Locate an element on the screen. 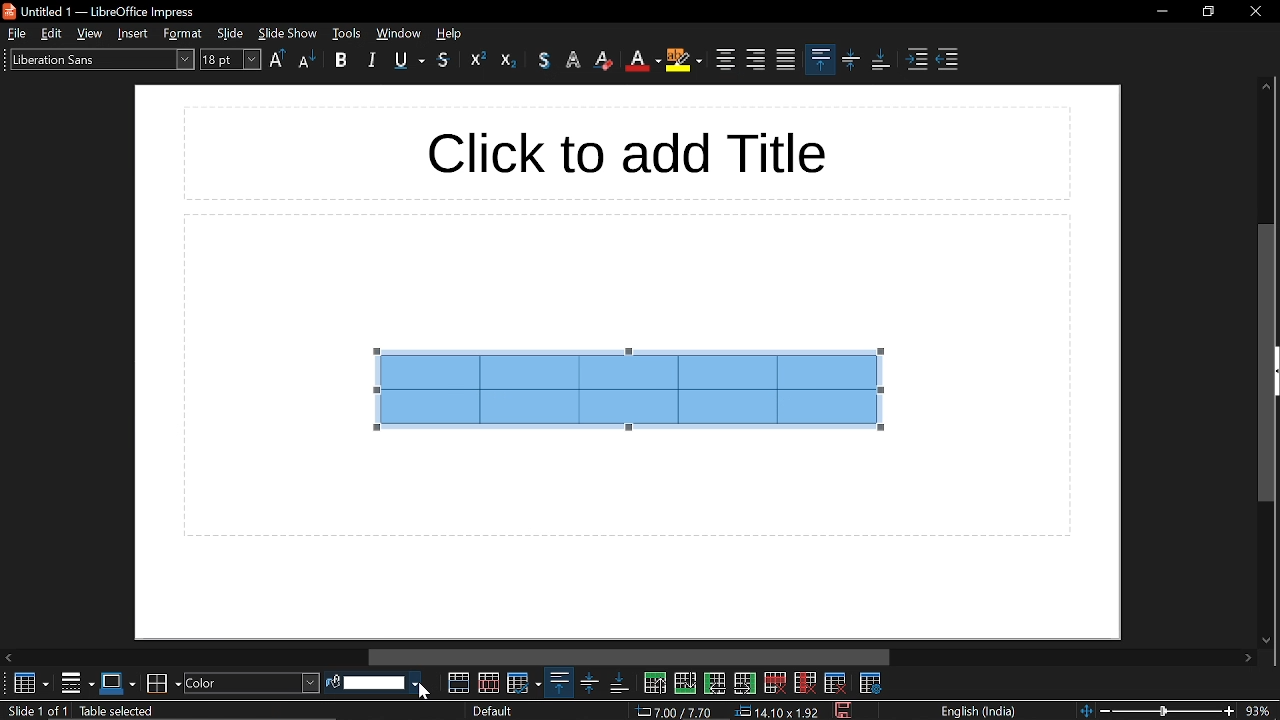 This screenshot has height=720, width=1280. insert row above is located at coordinates (654, 682).